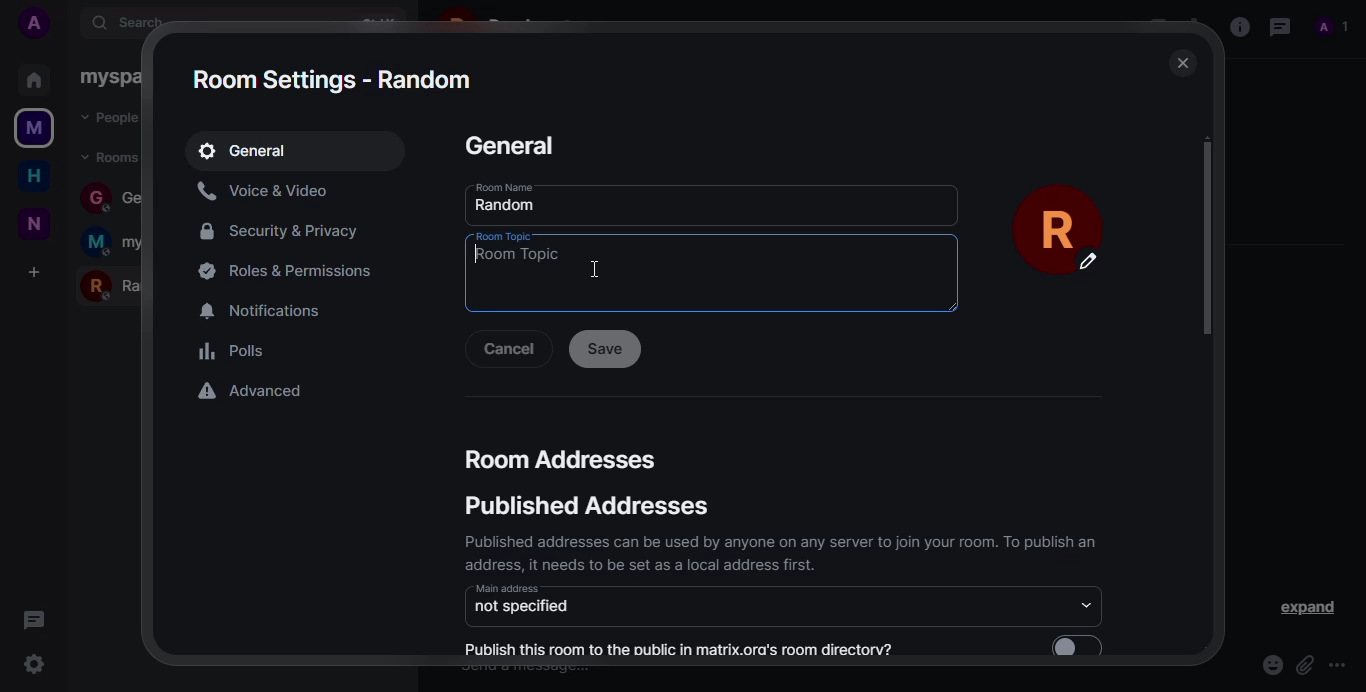  Describe the element at coordinates (608, 347) in the screenshot. I see `save` at that location.